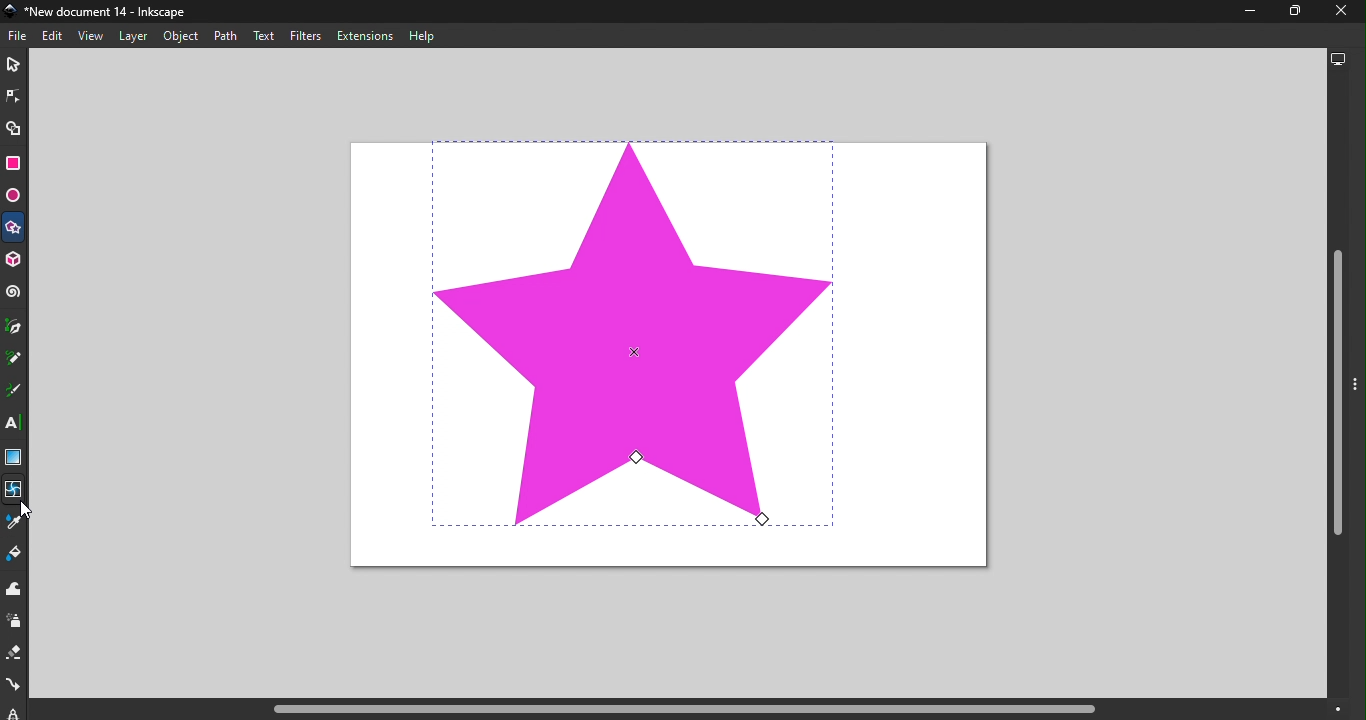  What do you see at coordinates (1337, 386) in the screenshot?
I see `Vertical scroll bar` at bounding box center [1337, 386].